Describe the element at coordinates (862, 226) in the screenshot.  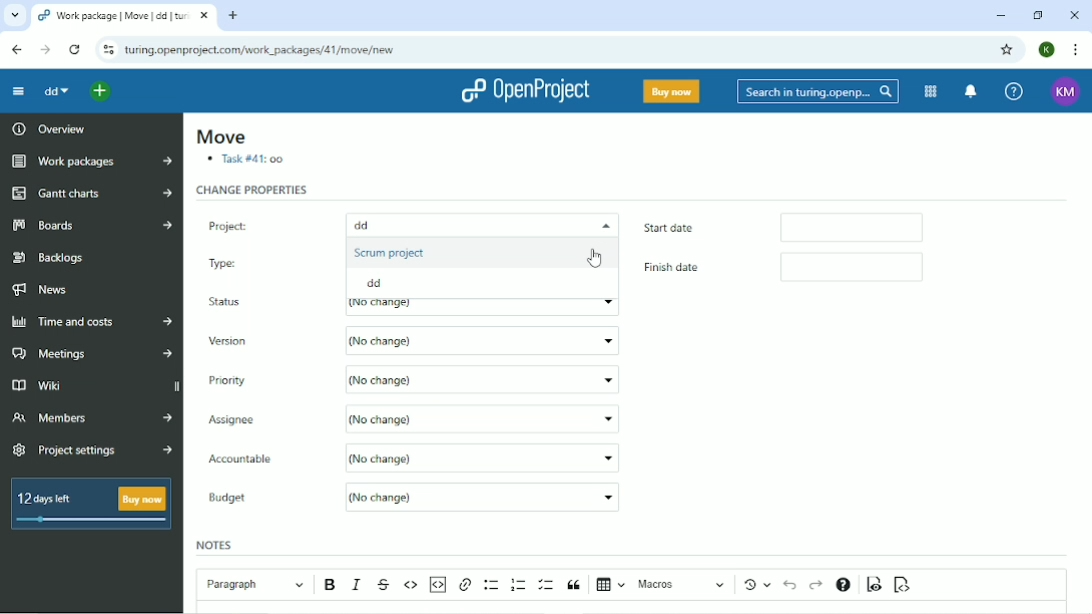
I see `empty box` at that location.